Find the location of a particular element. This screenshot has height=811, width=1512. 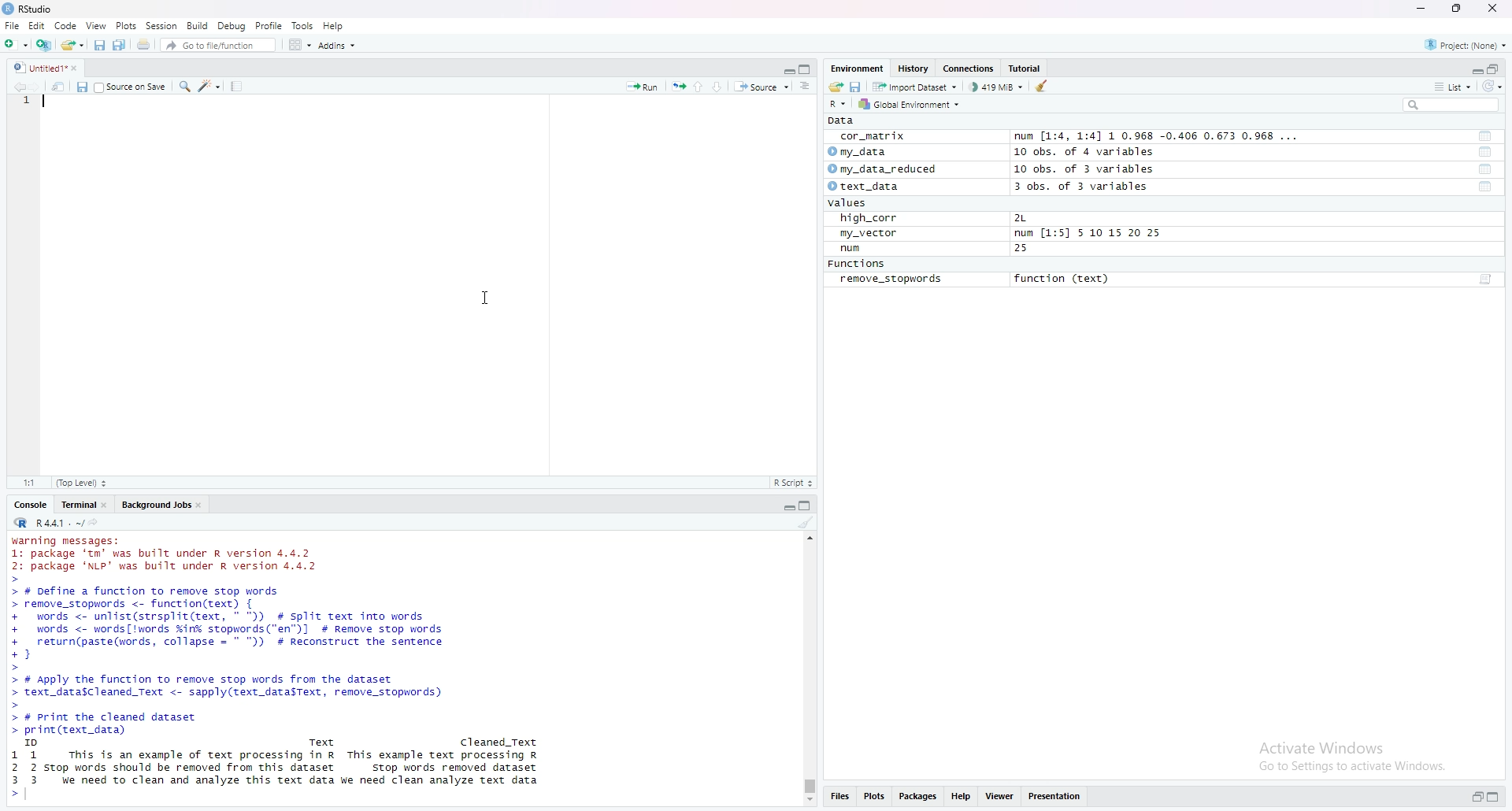

Plots is located at coordinates (125, 25).